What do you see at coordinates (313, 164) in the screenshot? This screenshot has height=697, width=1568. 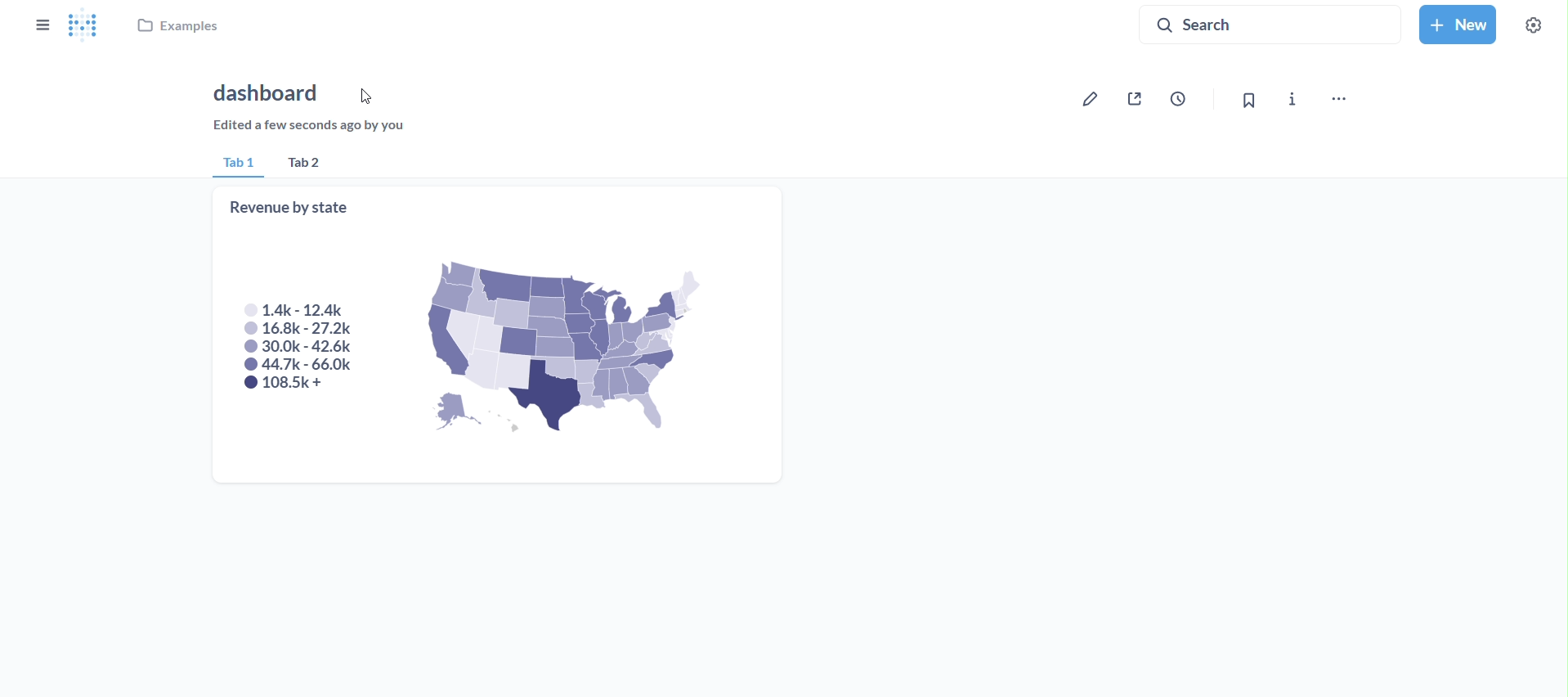 I see `tab 2` at bounding box center [313, 164].